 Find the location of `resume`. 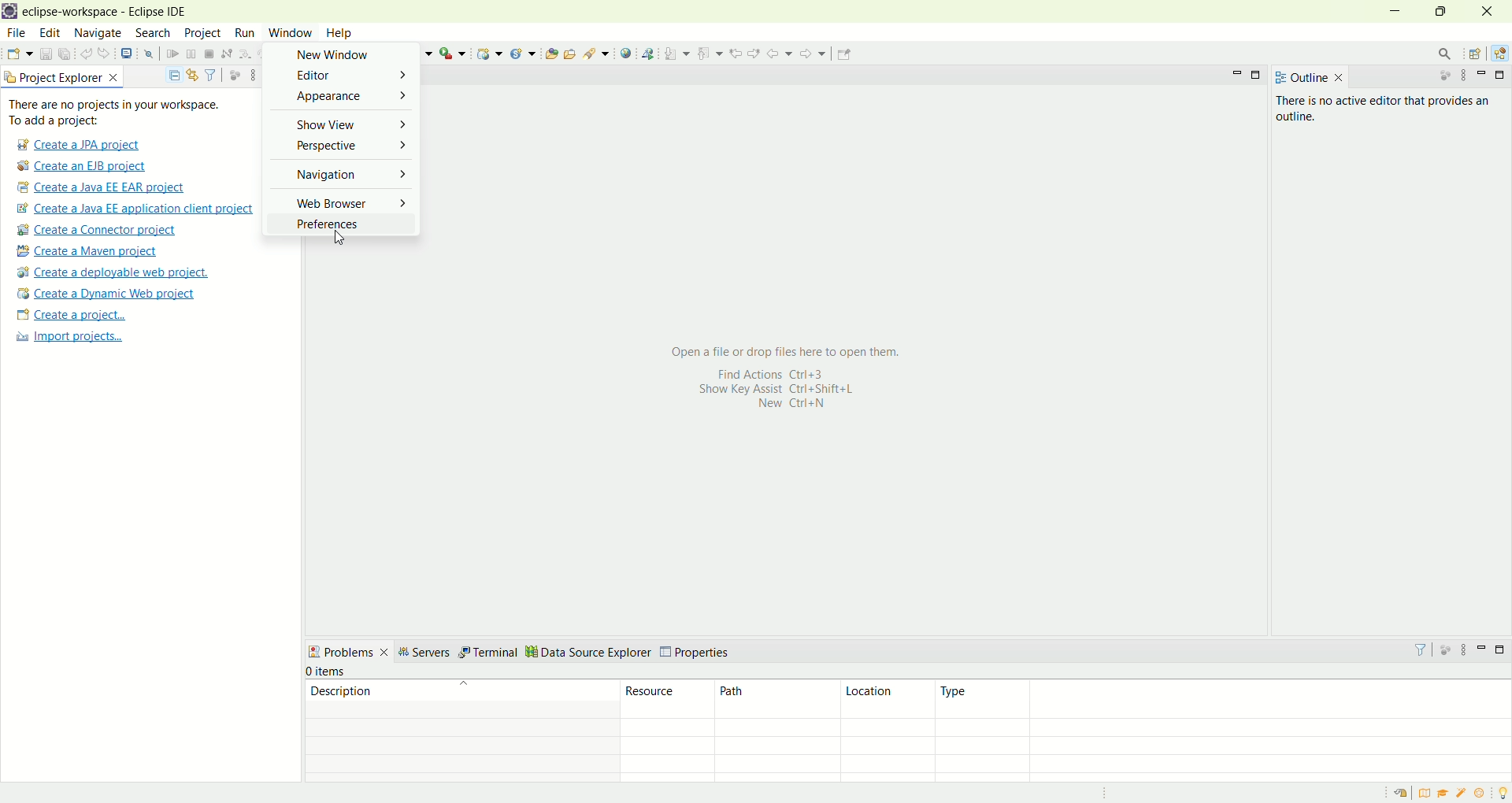

resume is located at coordinates (173, 55).